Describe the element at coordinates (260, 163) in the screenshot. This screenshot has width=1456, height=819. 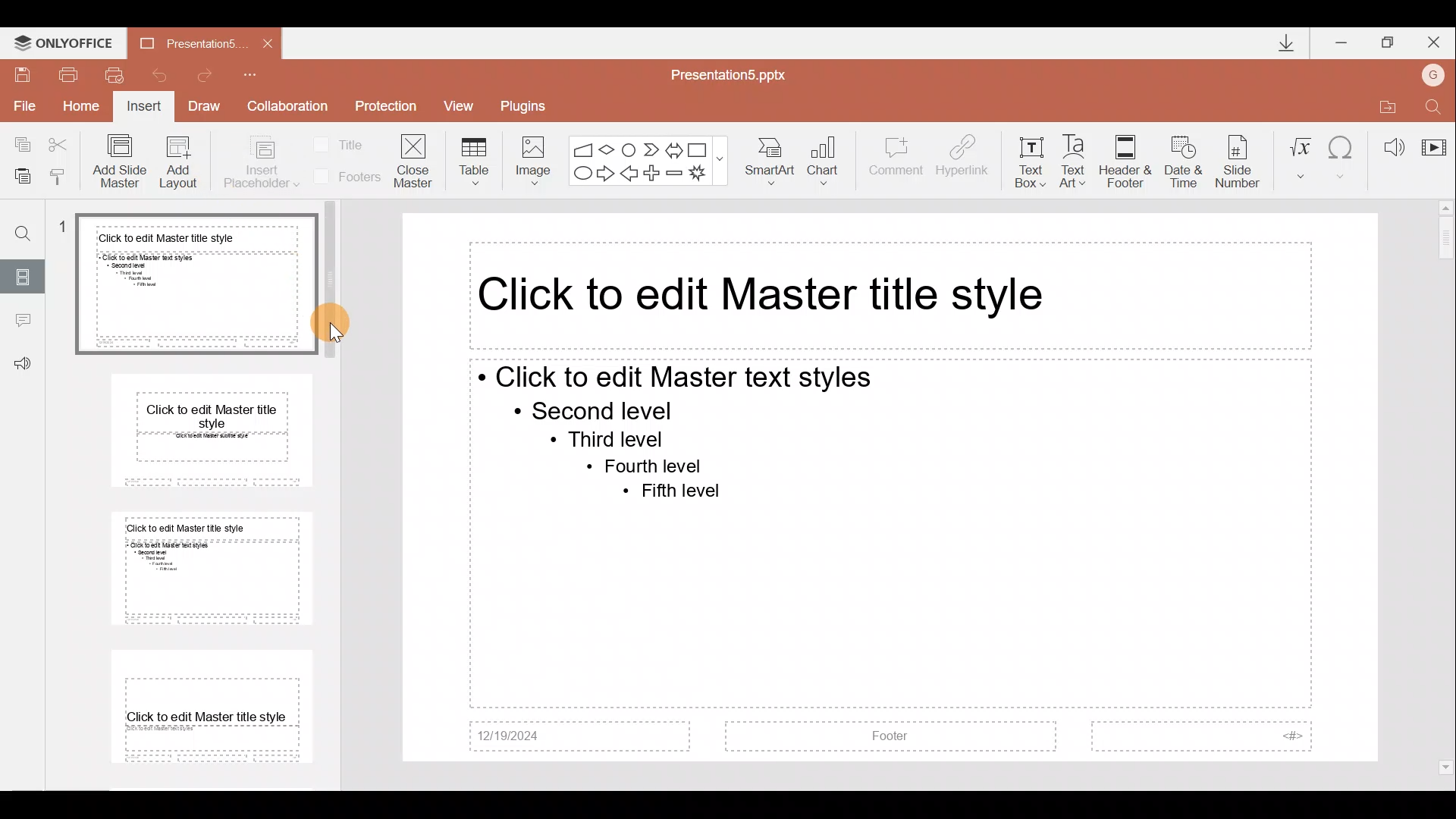
I see `Insert placeholder` at that location.